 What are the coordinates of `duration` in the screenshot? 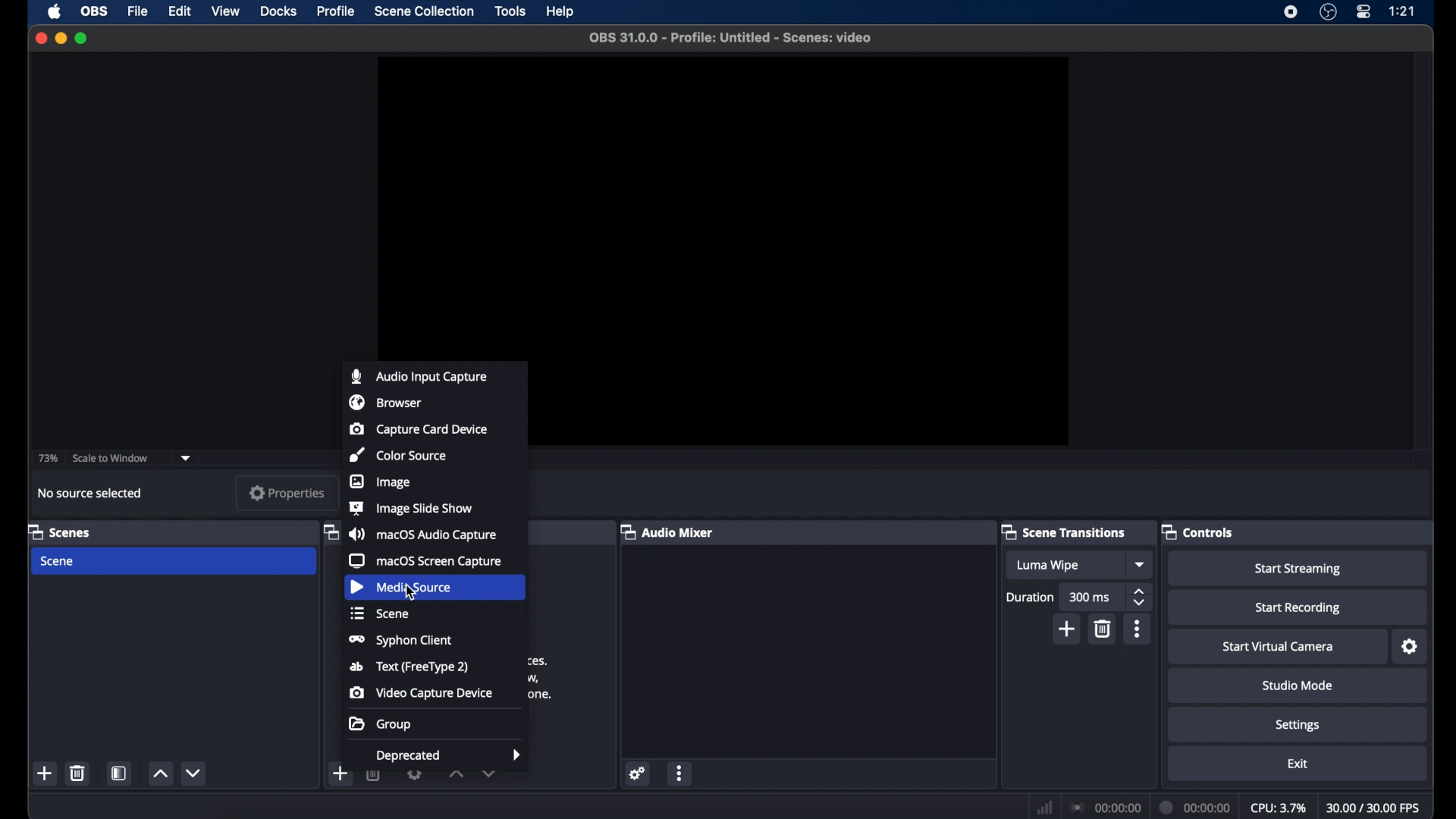 It's located at (1195, 807).